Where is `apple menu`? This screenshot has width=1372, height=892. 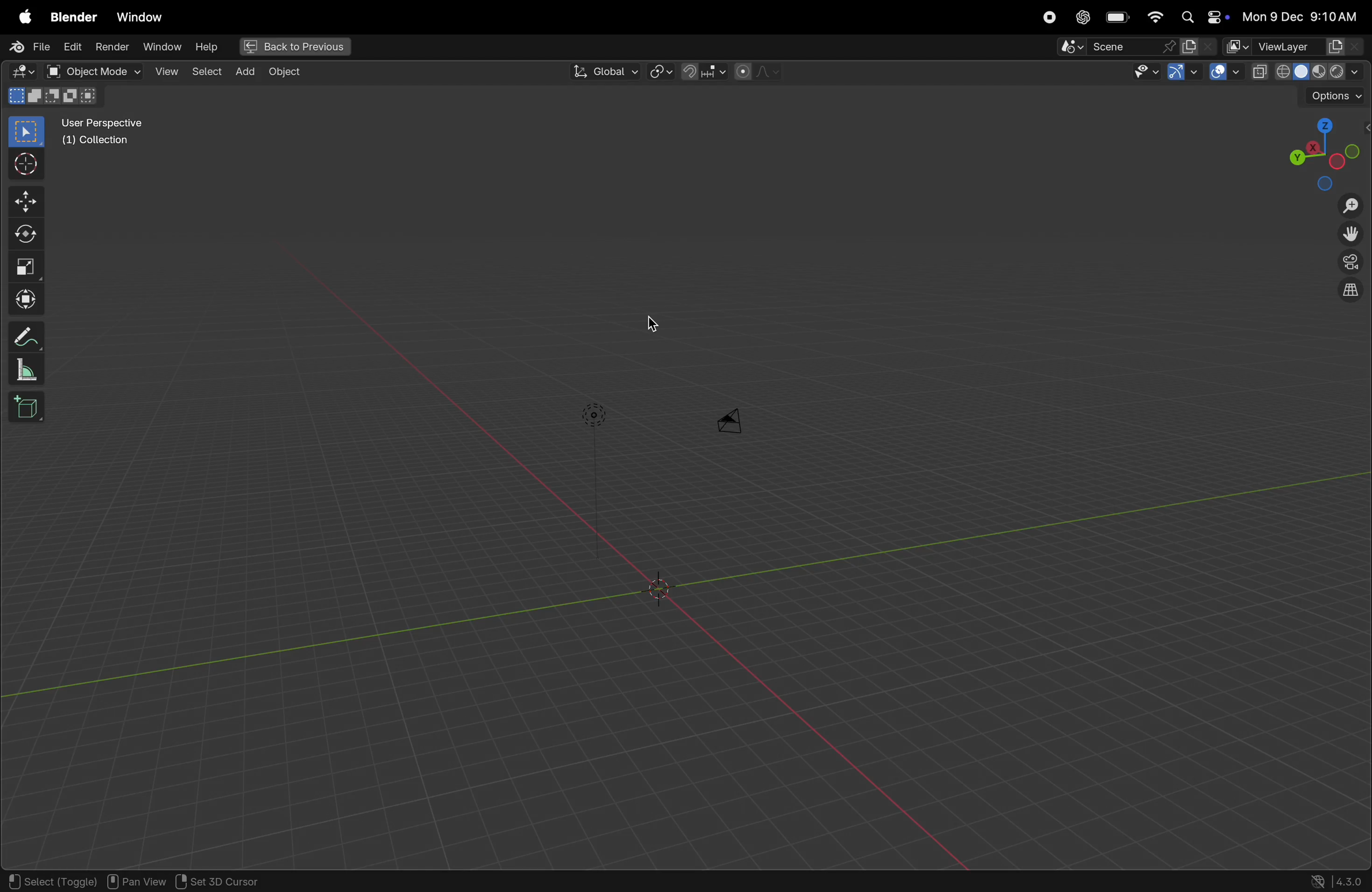 apple menu is located at coordinates (22, 17).